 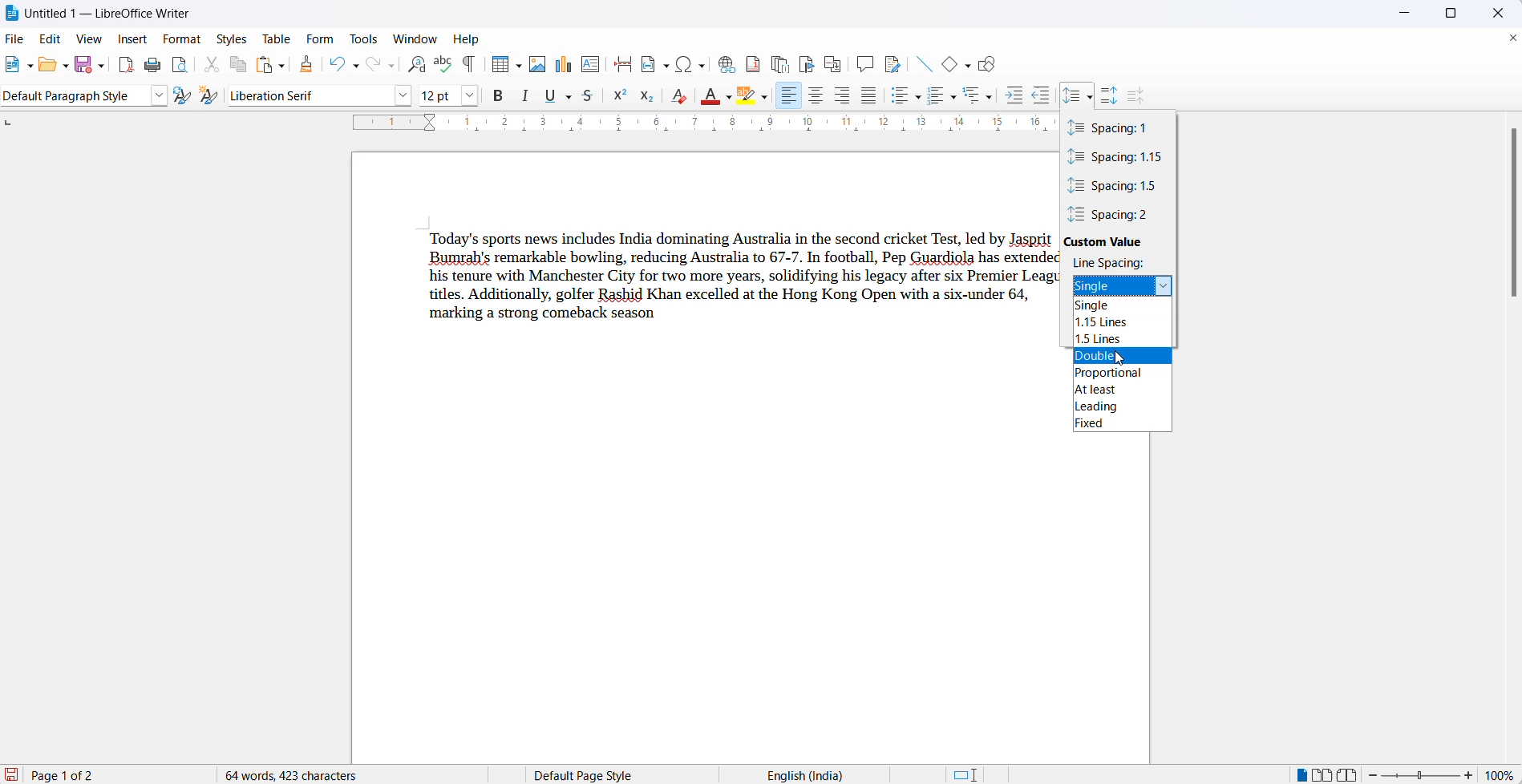 What do you see at coordinates (790, 97) in the screenshot?
I see `text align left` at bounding box center [790, 97].